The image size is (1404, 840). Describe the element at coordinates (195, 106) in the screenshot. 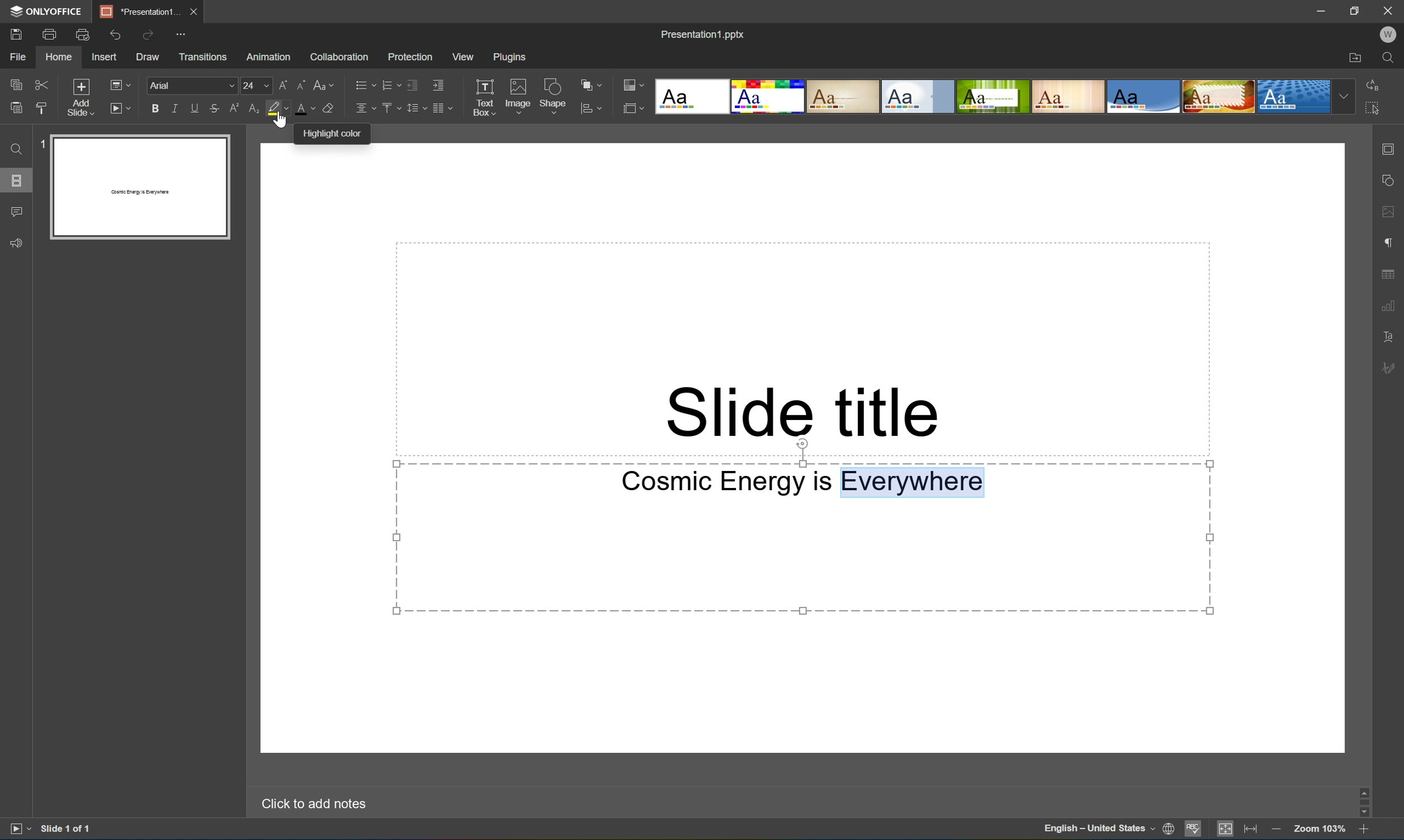

I see `Underline` at that location.